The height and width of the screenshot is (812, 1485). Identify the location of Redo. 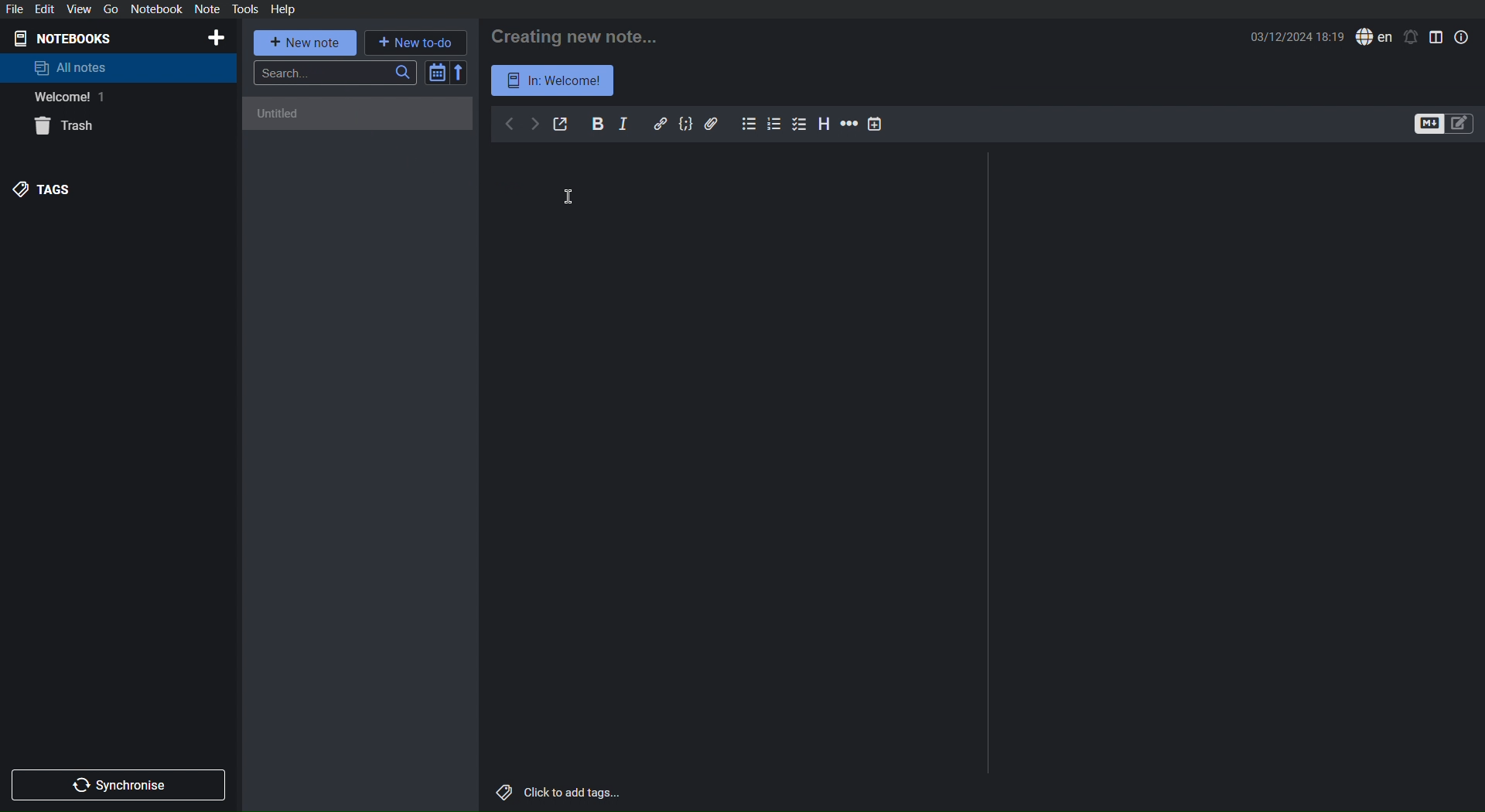
(534, 125).